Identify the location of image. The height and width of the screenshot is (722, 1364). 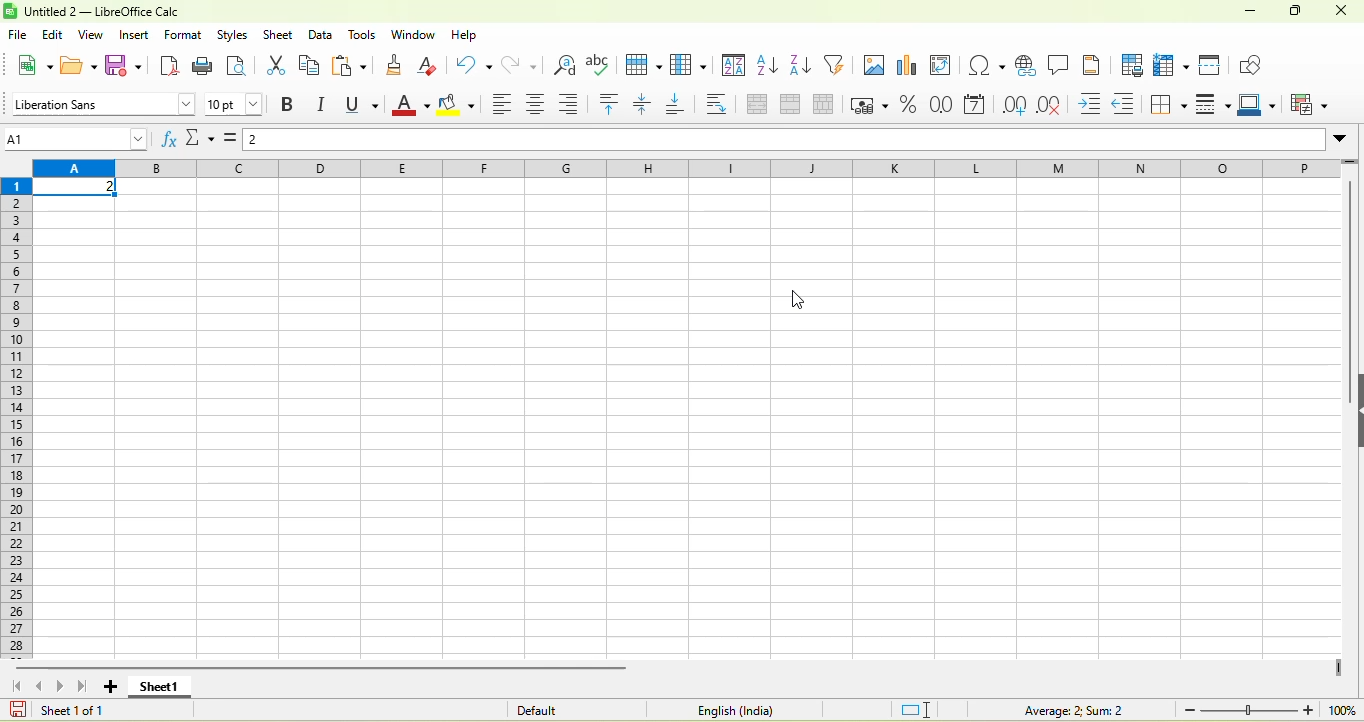
(875, 67).